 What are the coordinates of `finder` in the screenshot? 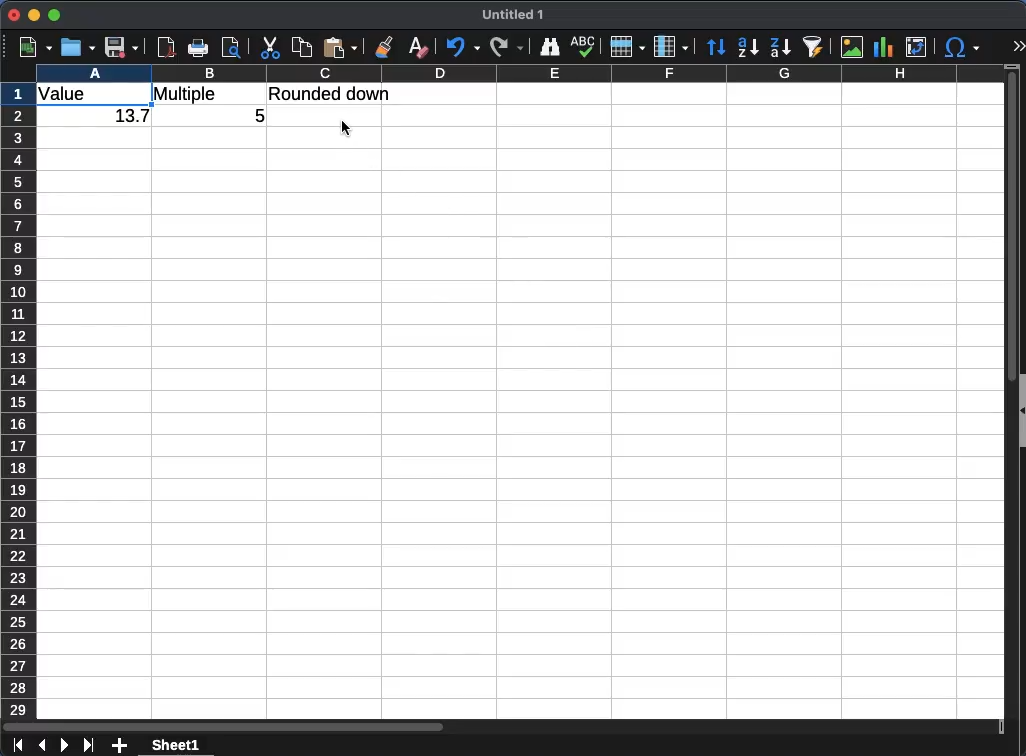 It's located at (550, 48).